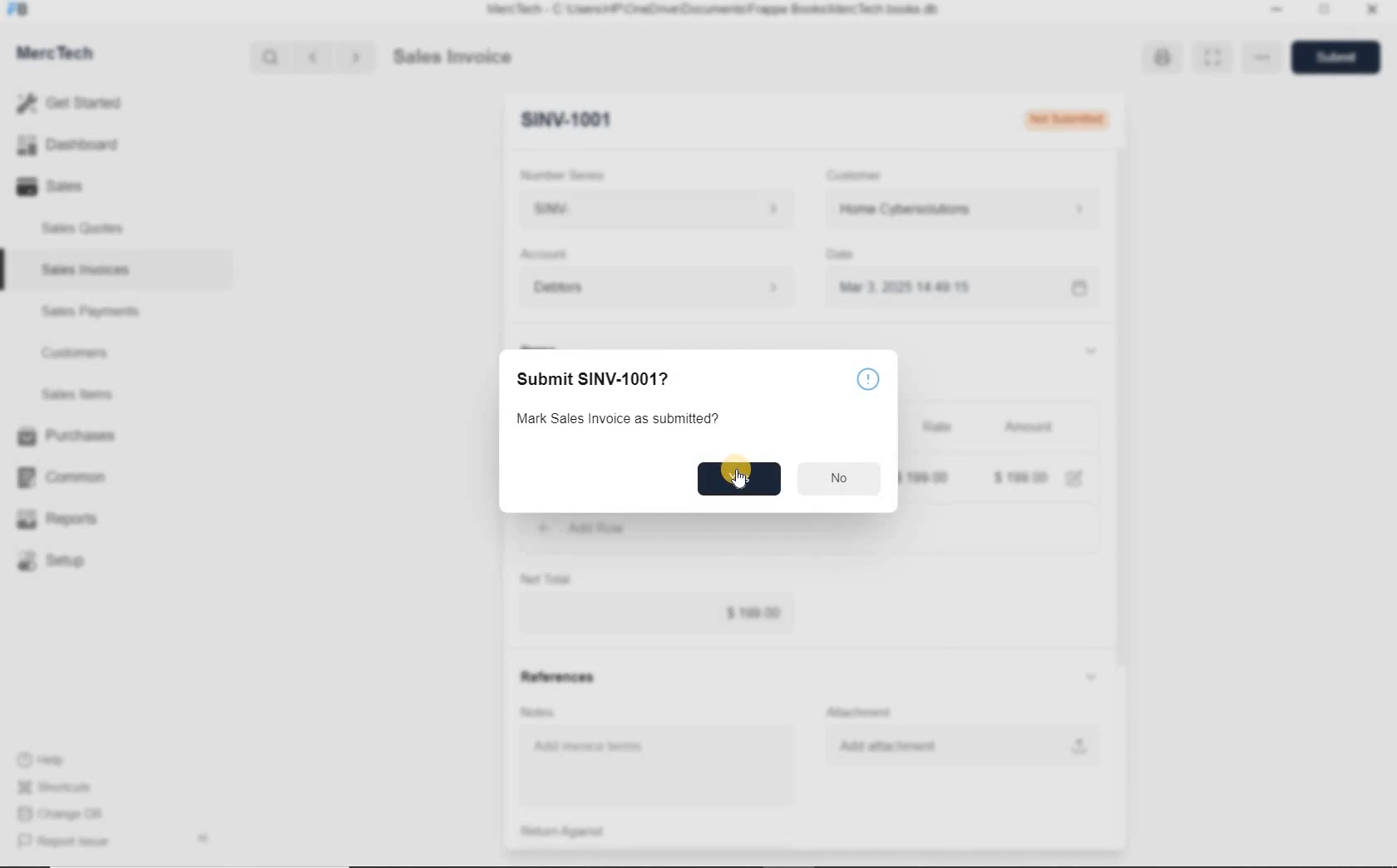  I want to click on print, so click(1159, 57).